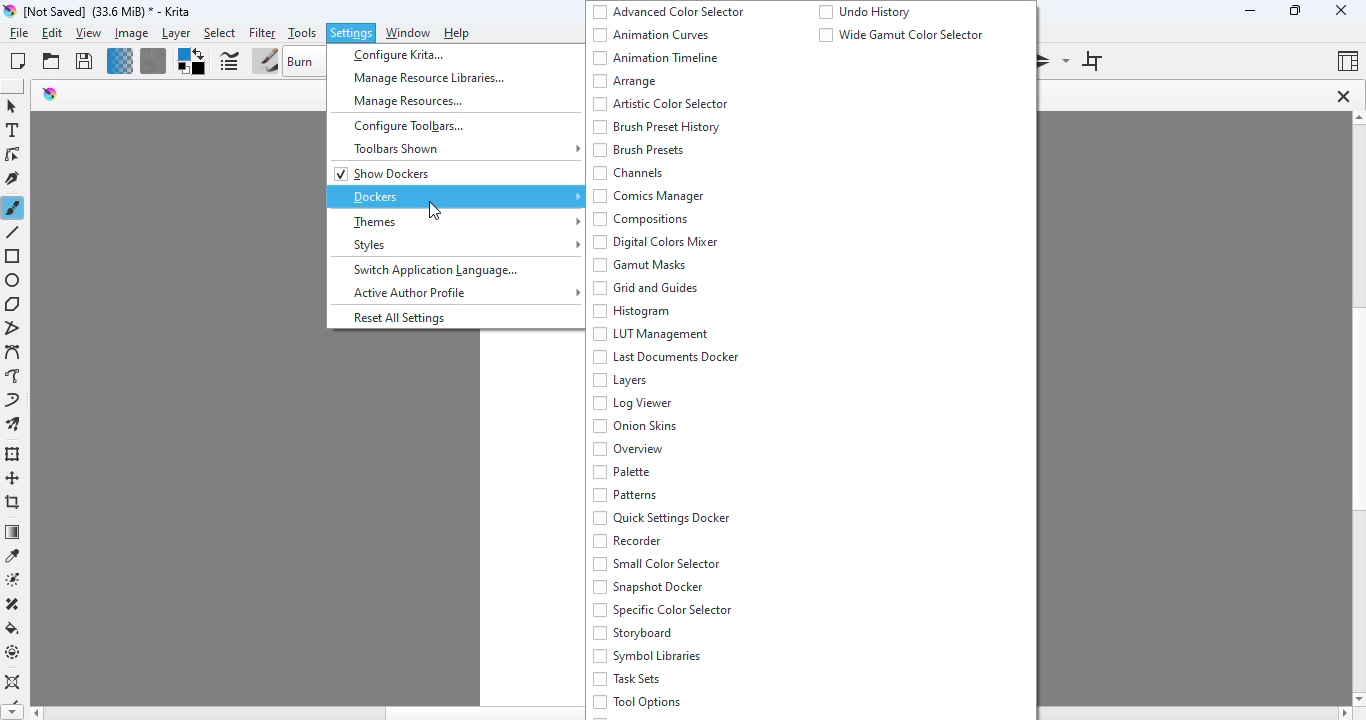 This screenshot has height=720, width=1366. I want to click on snapshot docker, so click(650, 587).